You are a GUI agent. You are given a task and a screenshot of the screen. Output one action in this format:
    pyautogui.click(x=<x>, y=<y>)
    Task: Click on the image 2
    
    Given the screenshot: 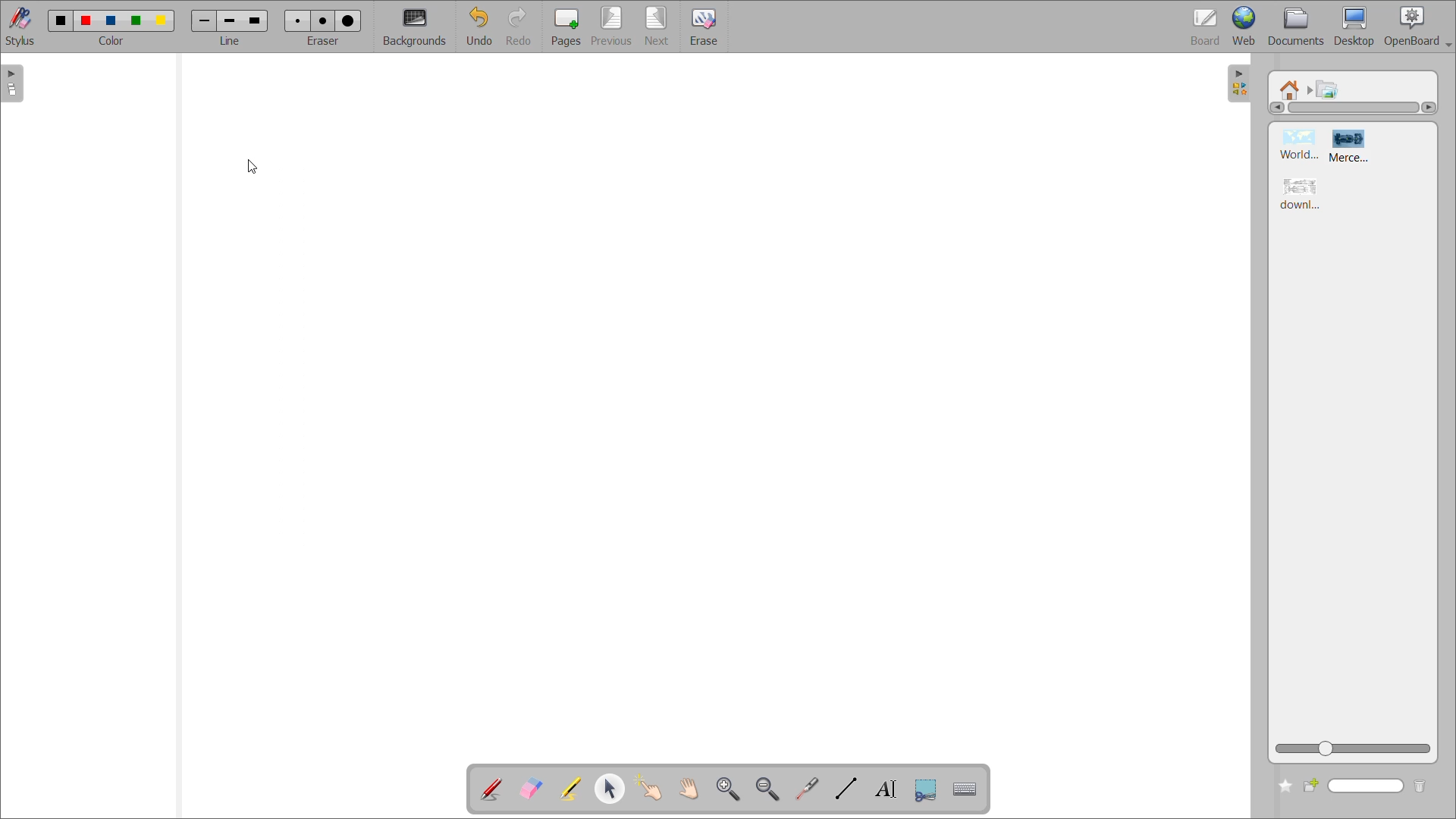 What is the action you would take?
    pyautogui.click(x=1355, y=146)
    